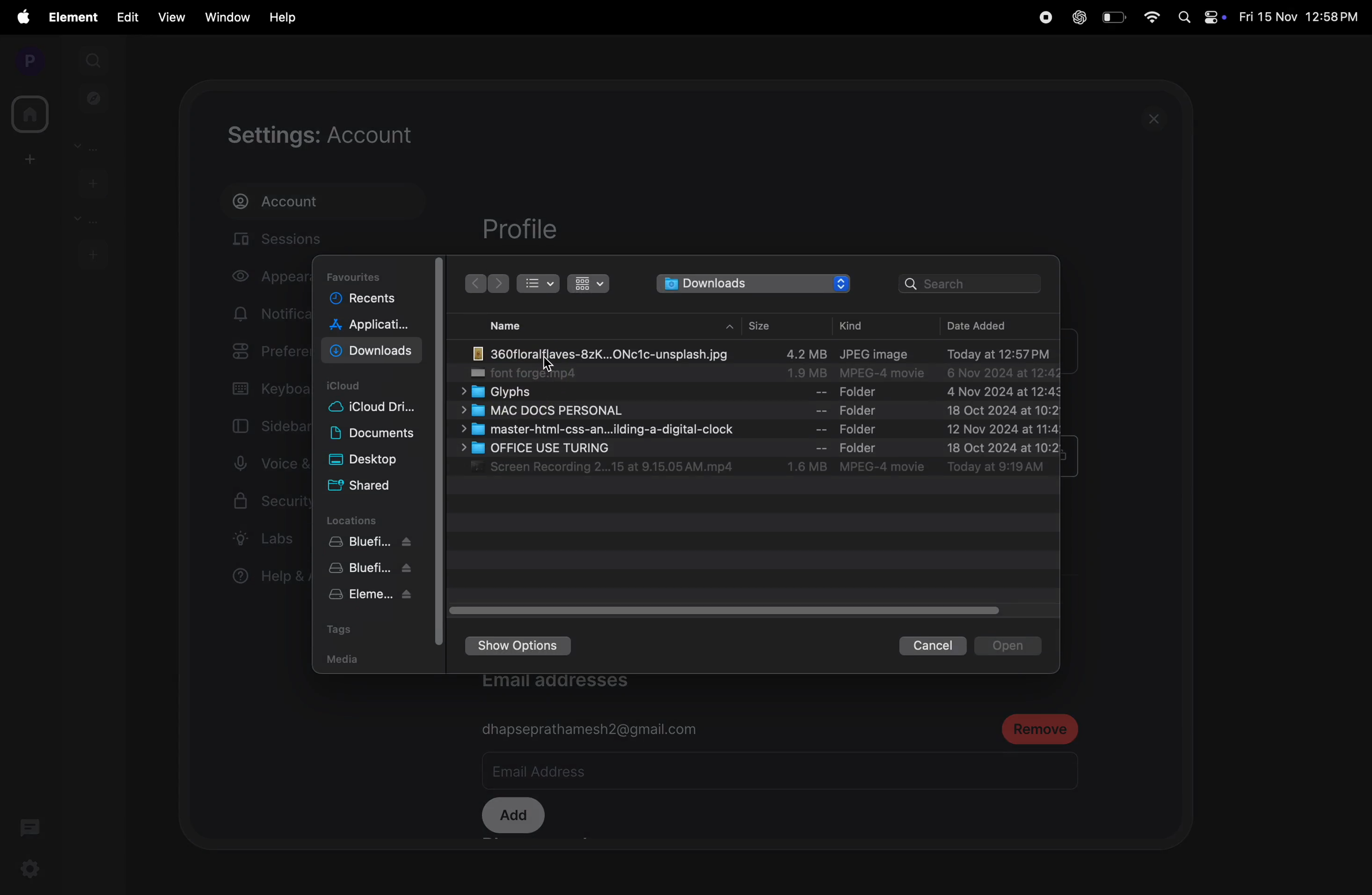 This screenshot has width=1372, height=895. What do you see at coordinates (93, 253) in the screenshot?
I see `add rooms` at bounding box center [93, 253].